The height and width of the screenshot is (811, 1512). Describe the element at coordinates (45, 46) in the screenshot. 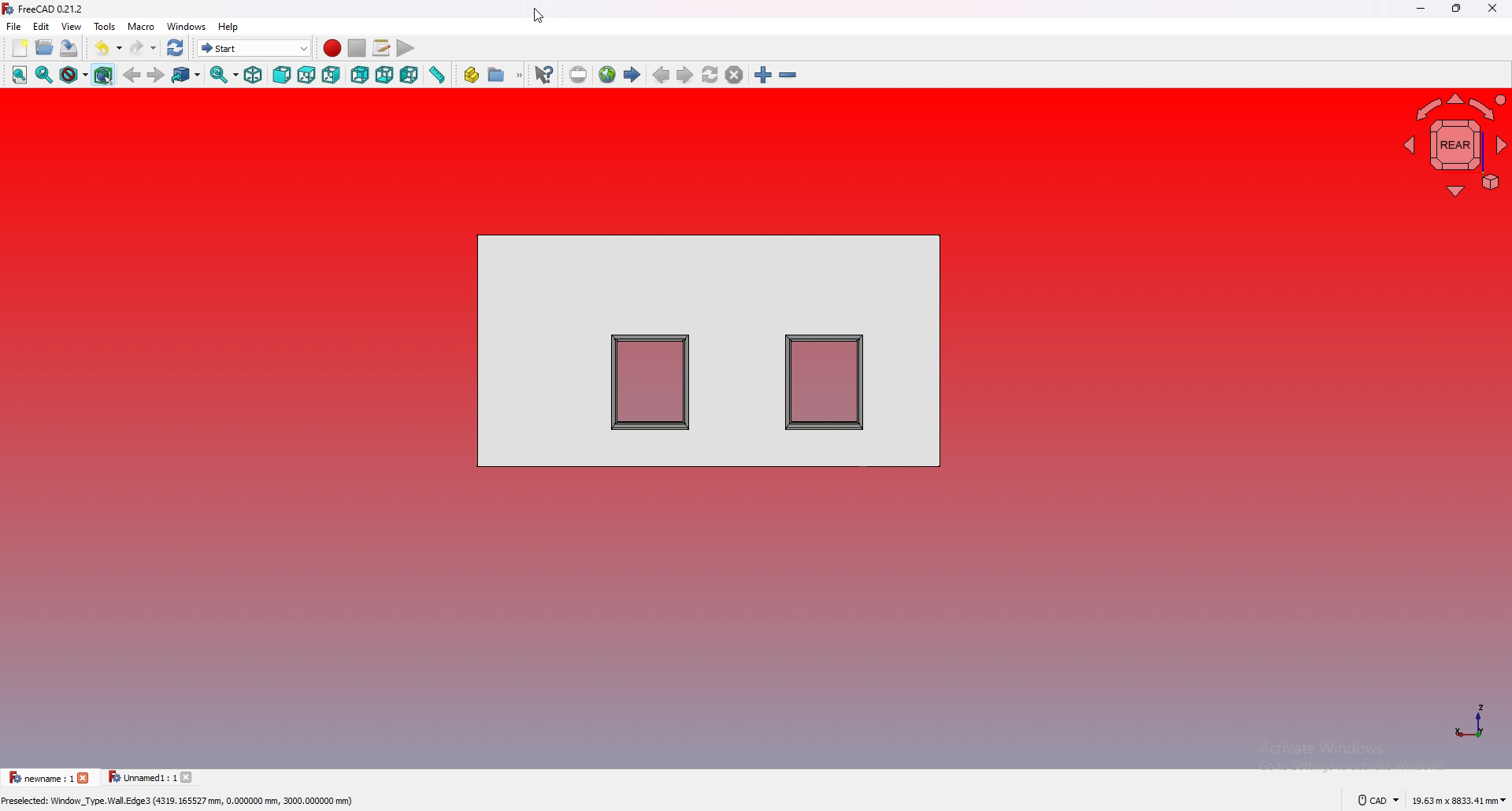

I see `open` at that location.